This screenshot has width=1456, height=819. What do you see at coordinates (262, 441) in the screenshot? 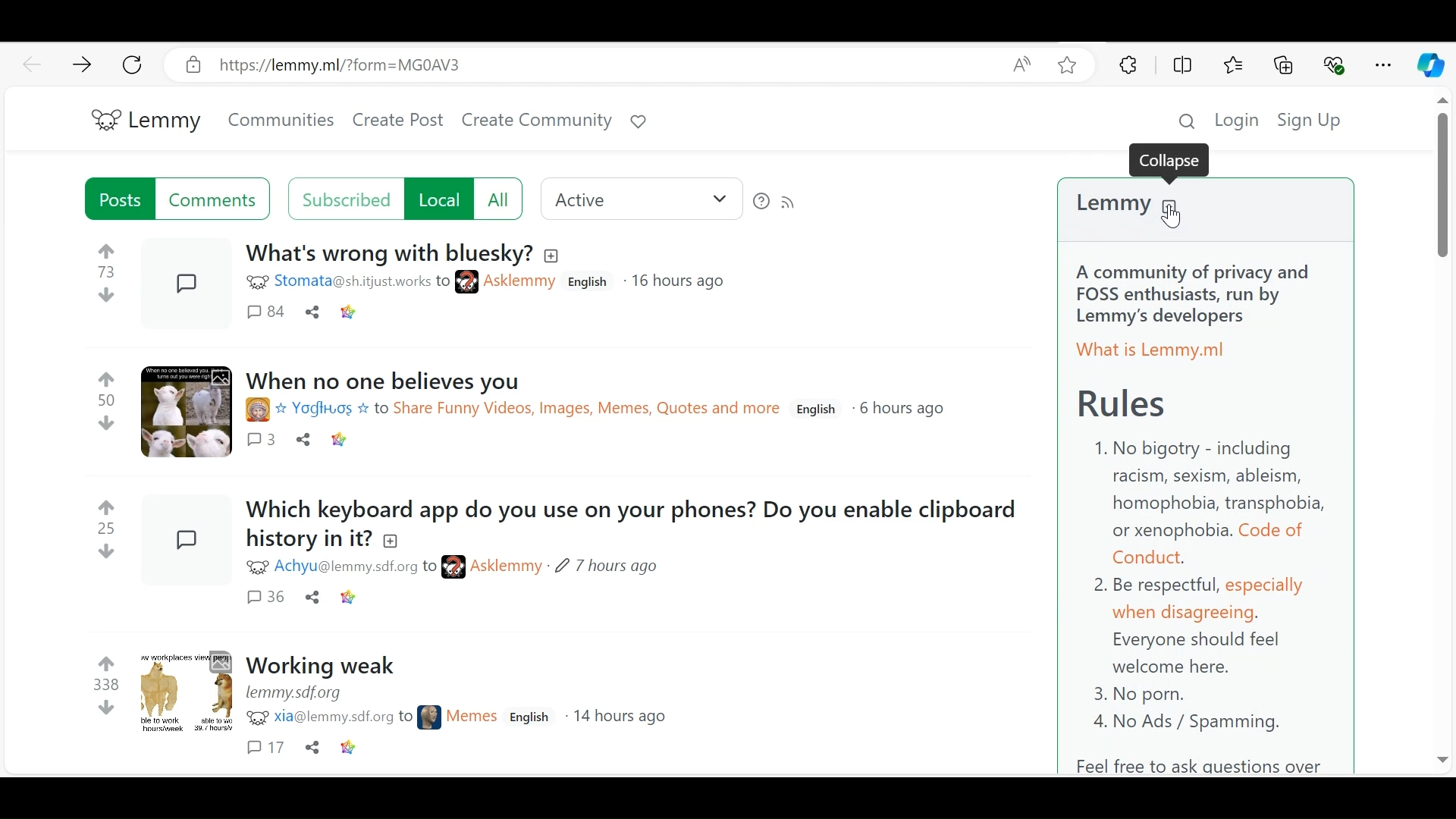
I see `Comments` at bounding box center [262, 441].